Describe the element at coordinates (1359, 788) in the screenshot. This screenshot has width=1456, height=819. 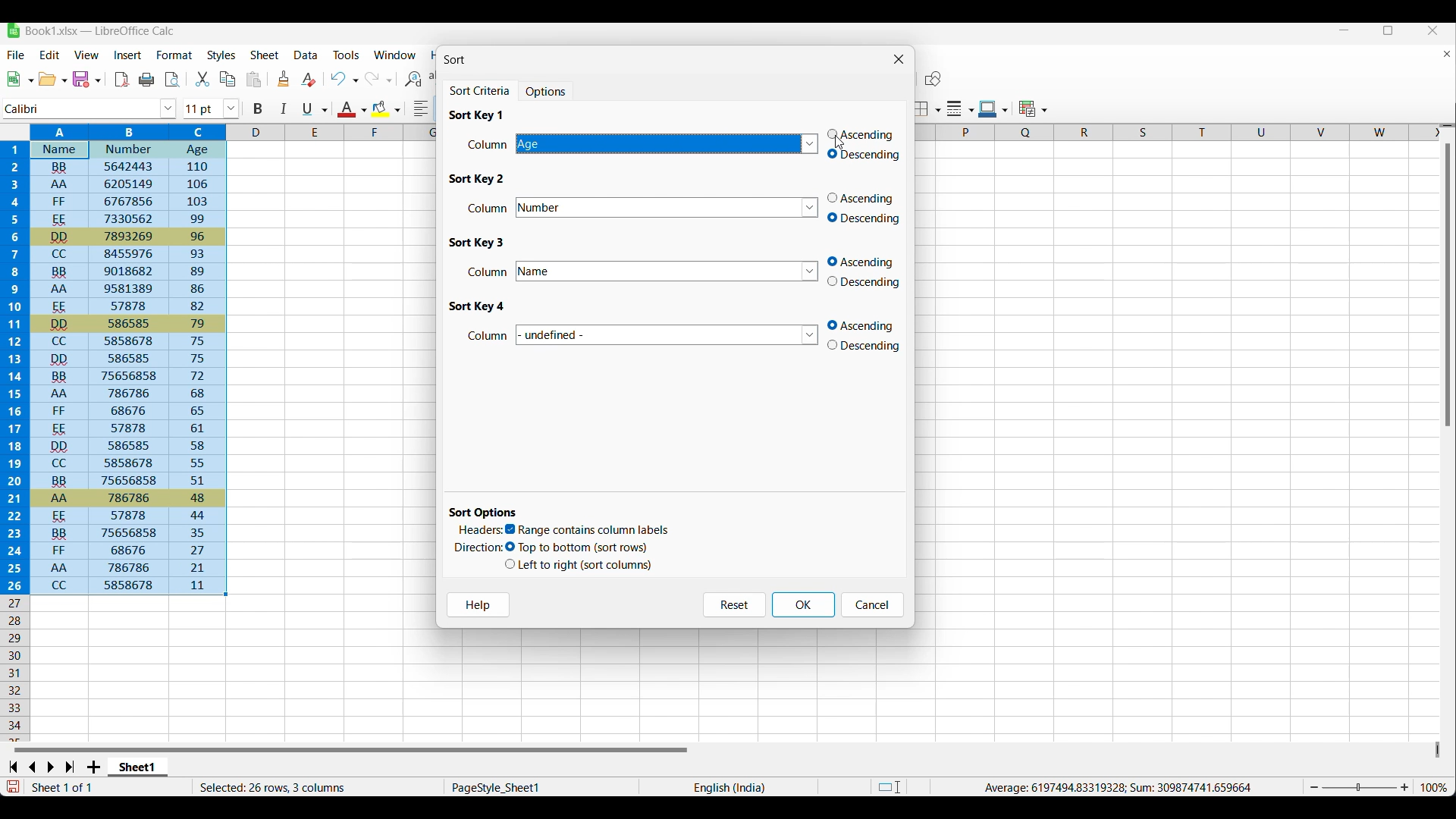
I see `Slider to change zoom` at that location.